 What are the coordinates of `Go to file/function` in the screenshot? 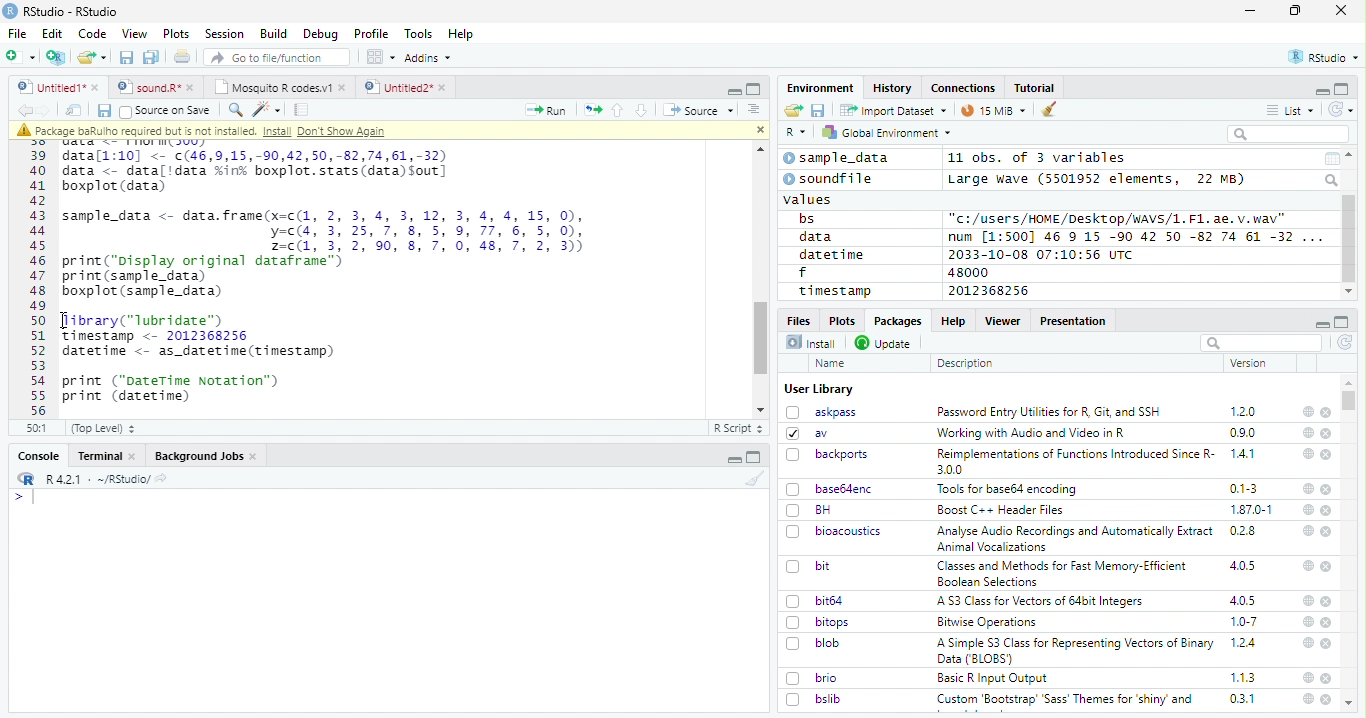 It's located at (278, 57).